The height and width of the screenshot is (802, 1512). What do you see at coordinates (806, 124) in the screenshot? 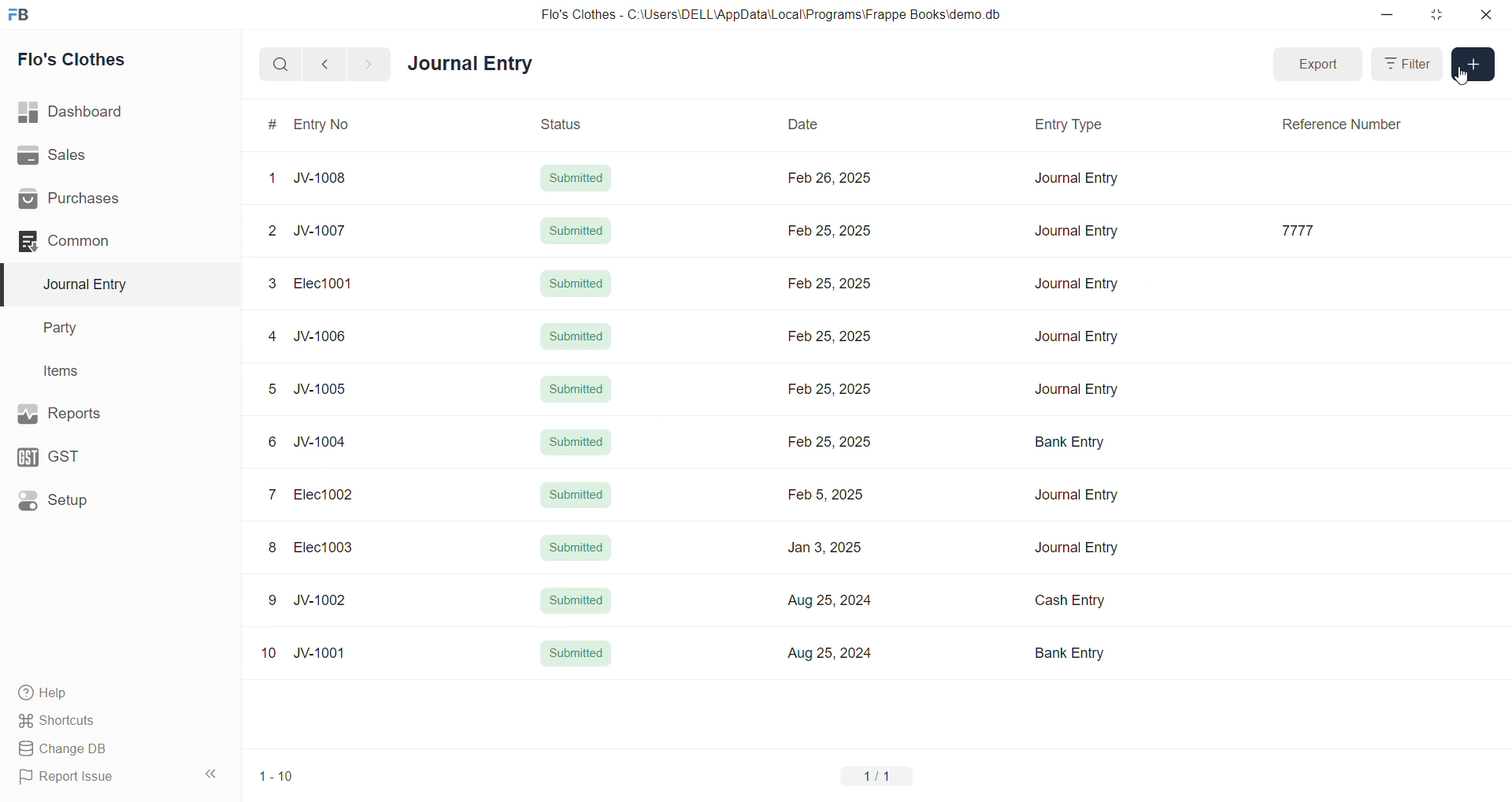
I see `Date` at bounding box center [806, 124].